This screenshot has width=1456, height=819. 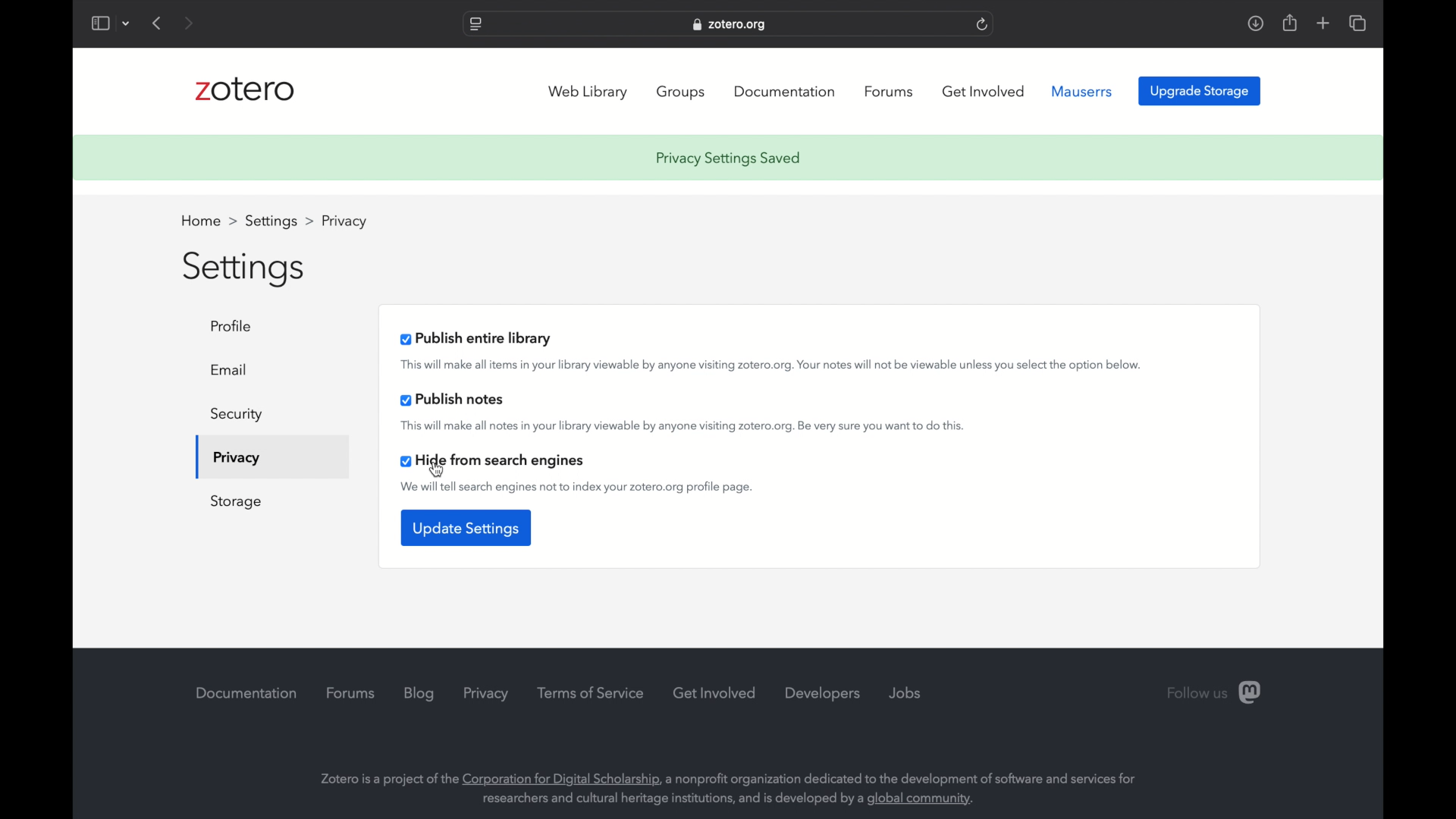 What do you see at coordinates (190, 24) in the screenshot?
I see `next` at bounding box center [190, 24].